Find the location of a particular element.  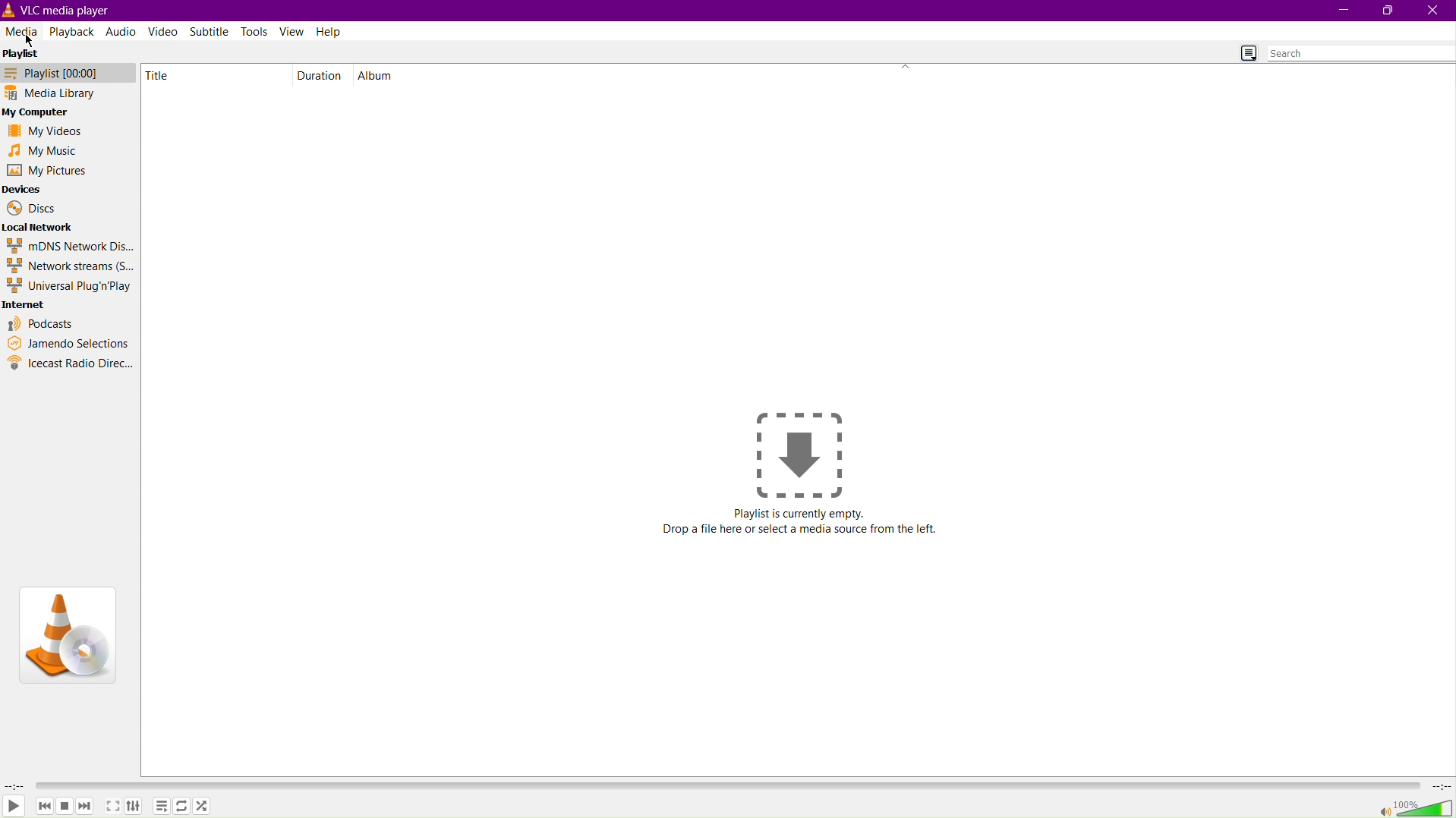

mDNS Network Distribution is located at coordinates (68, 246).